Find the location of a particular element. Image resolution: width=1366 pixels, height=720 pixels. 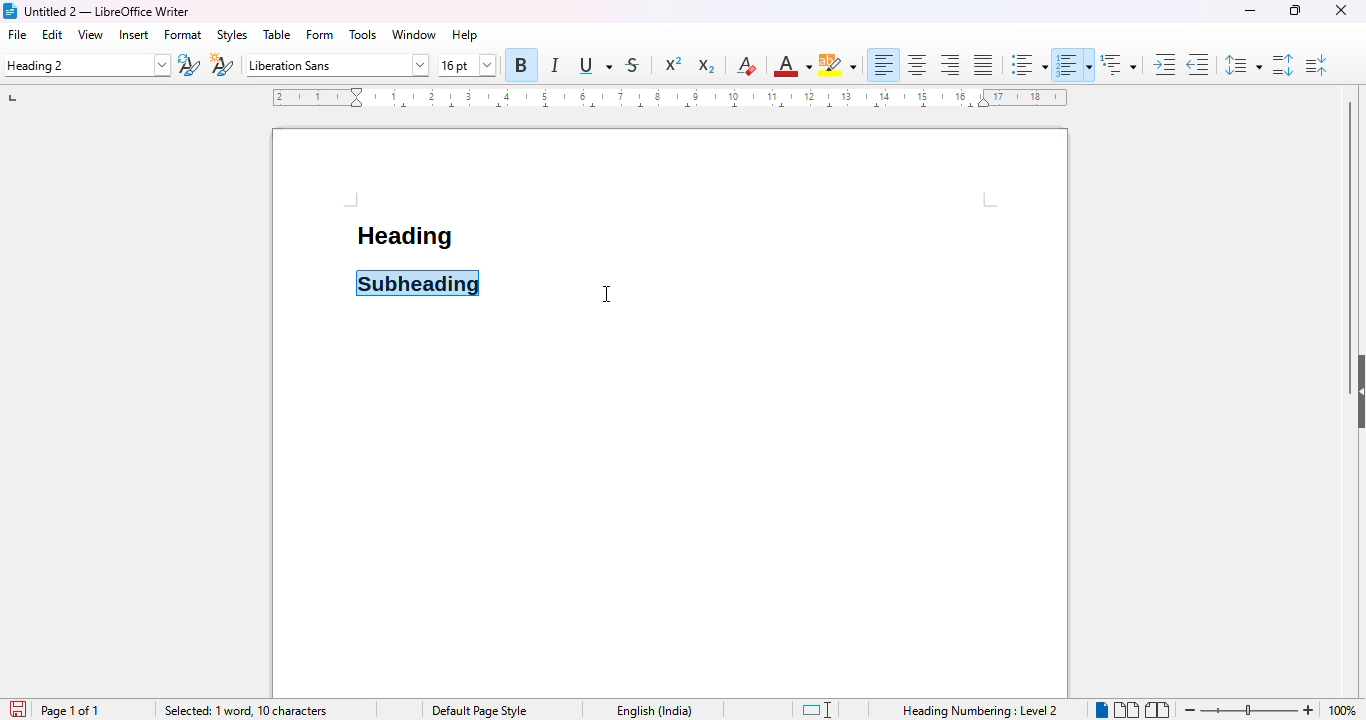

text language is located at coordinates (655, 710).